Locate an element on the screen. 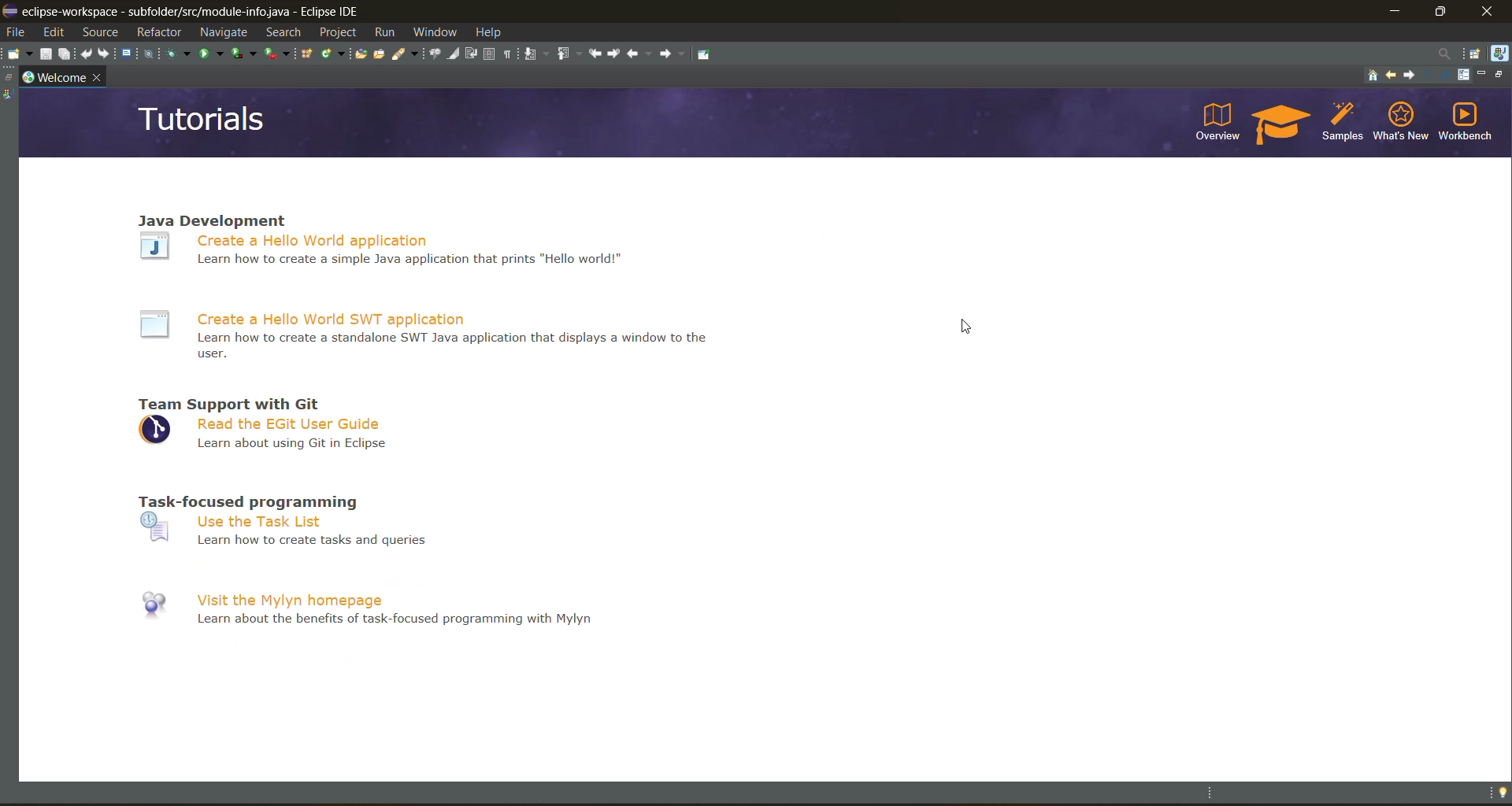 The height and width of the screenshot is (806, 1512). new java package is located at coordinates (307, 54).